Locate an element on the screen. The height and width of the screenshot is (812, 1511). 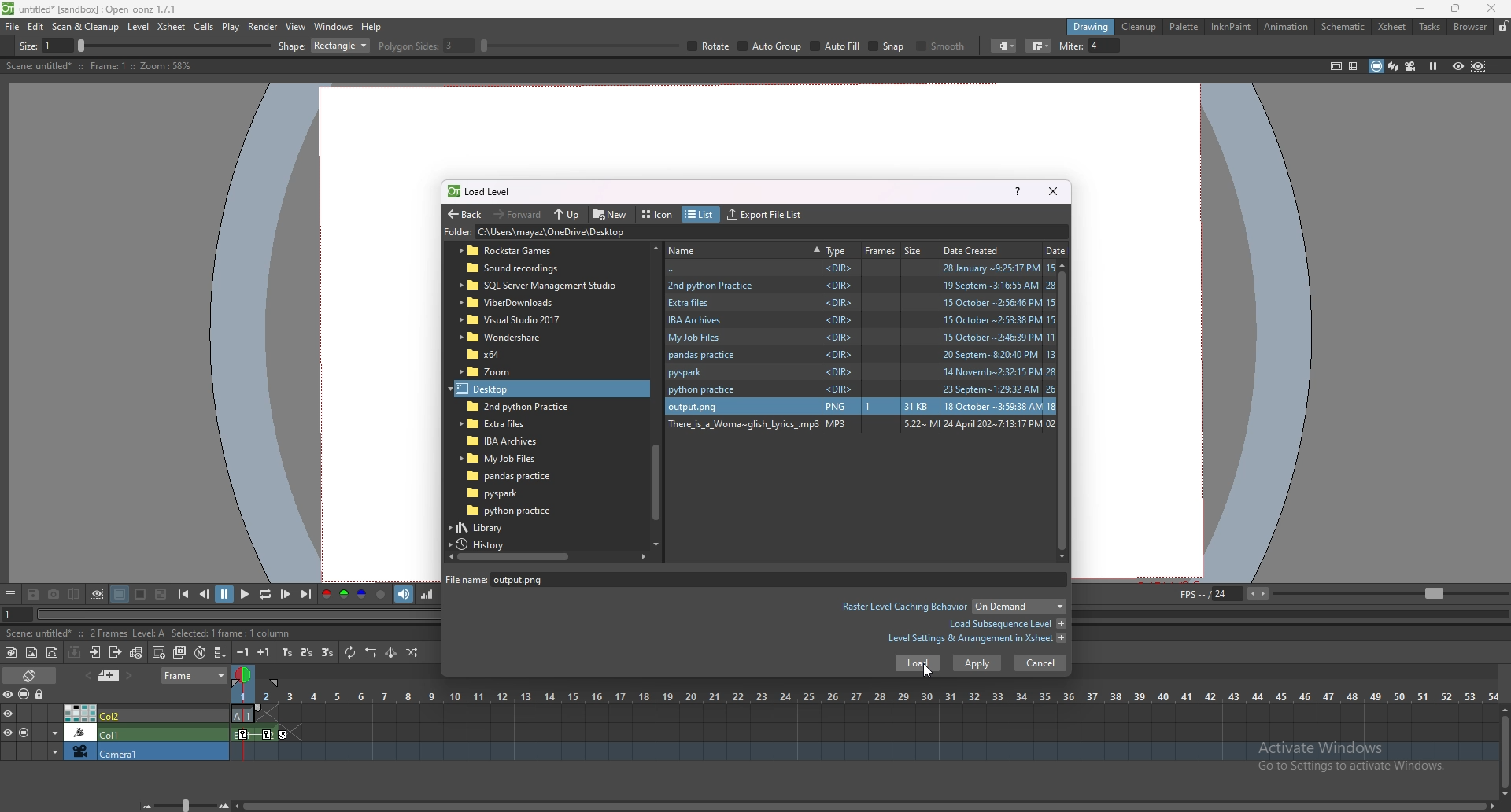
loop is located at coordinates (264, 595).